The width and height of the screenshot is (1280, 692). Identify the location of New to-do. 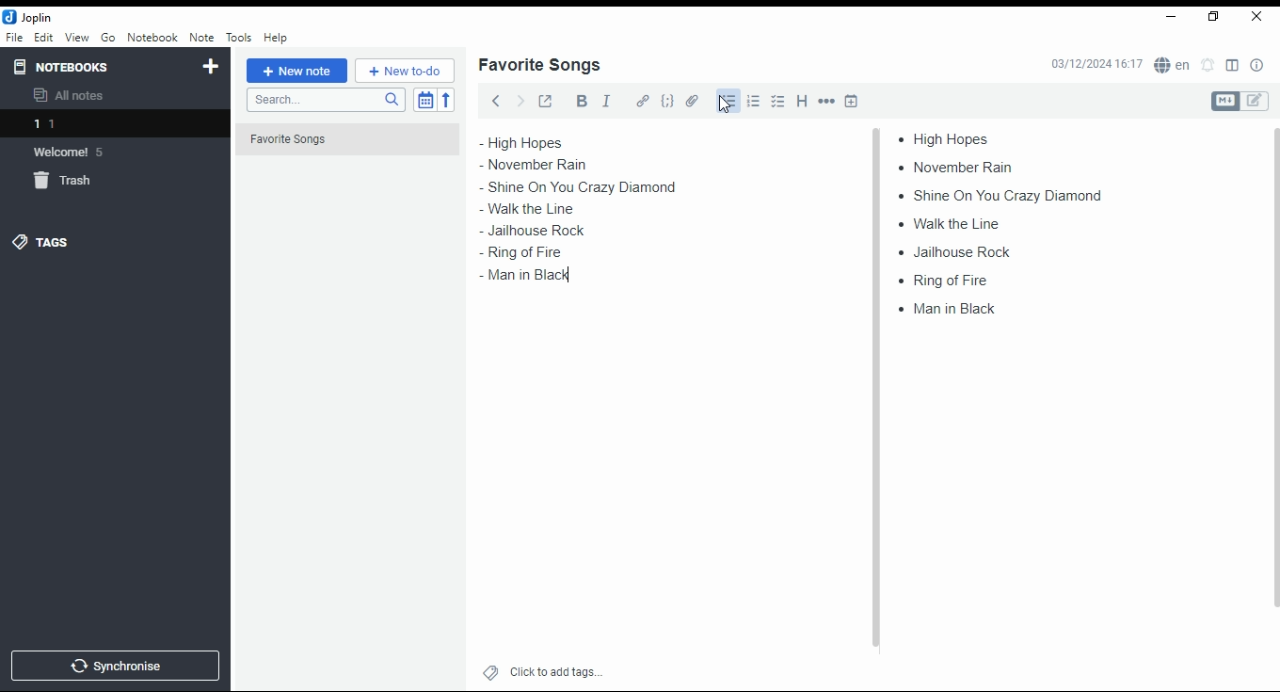
(405, 71).